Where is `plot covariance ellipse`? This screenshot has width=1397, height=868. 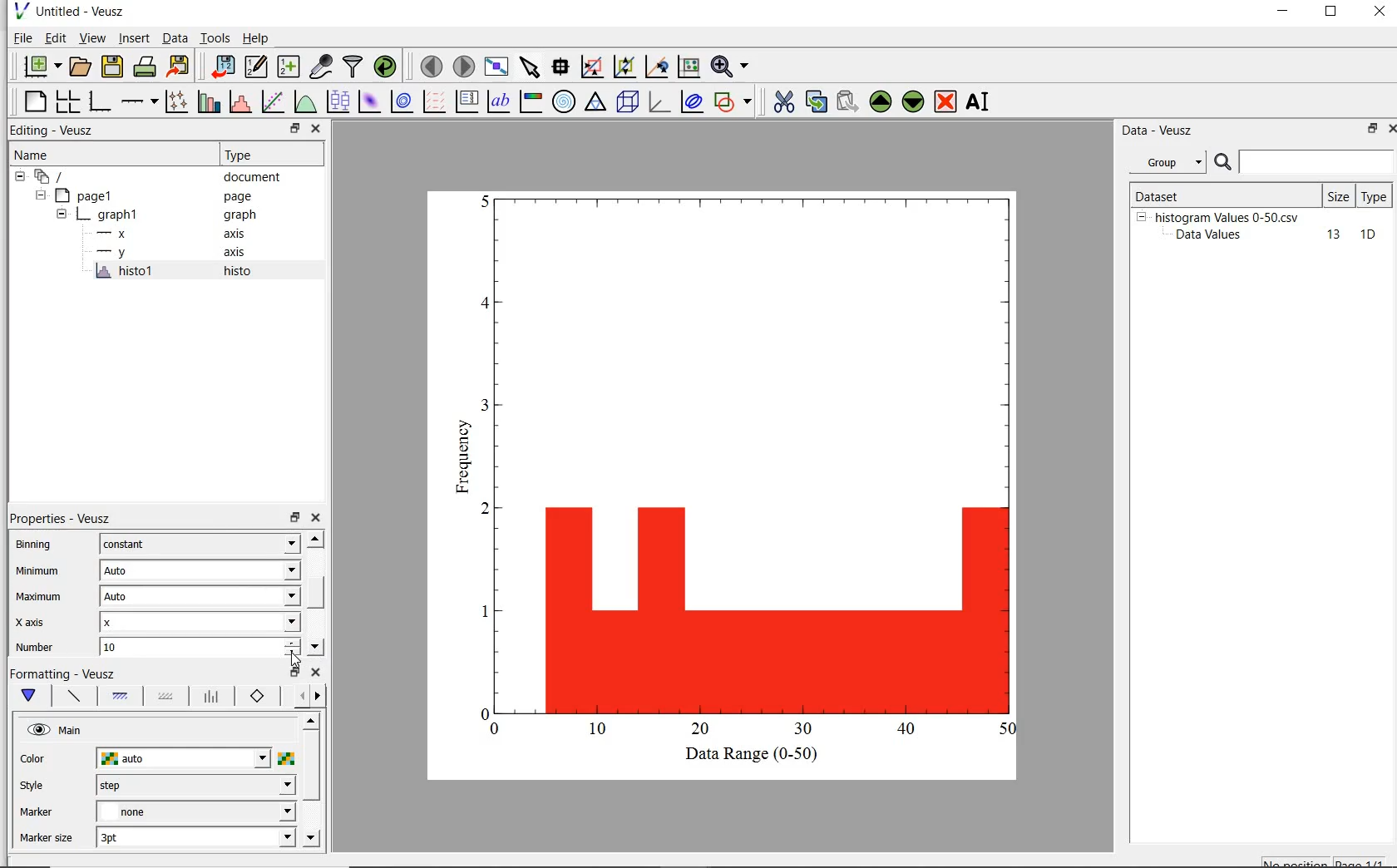 plot covariance ellipse is located at coordinates (692, 104).